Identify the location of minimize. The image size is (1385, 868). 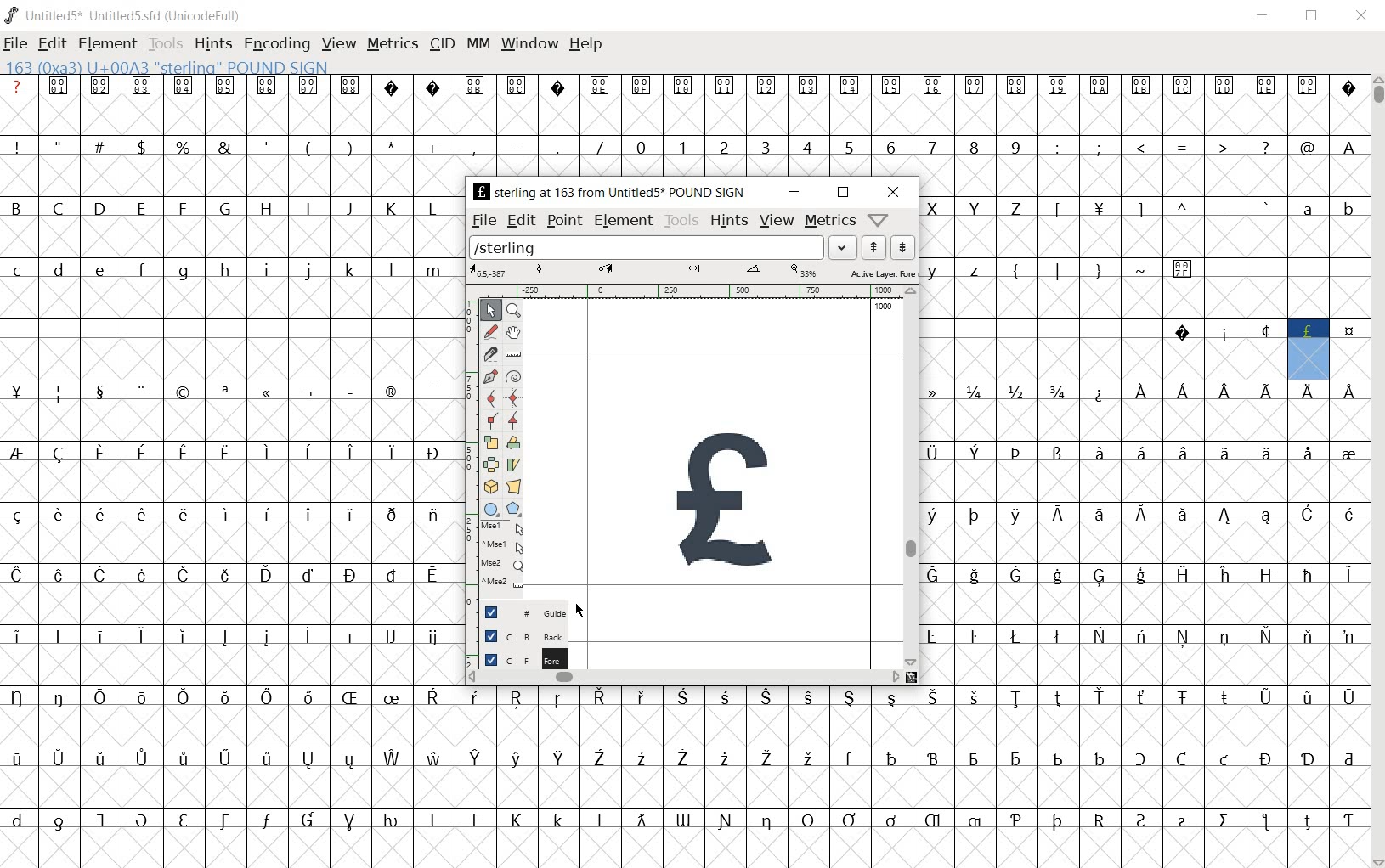
(793, 192).